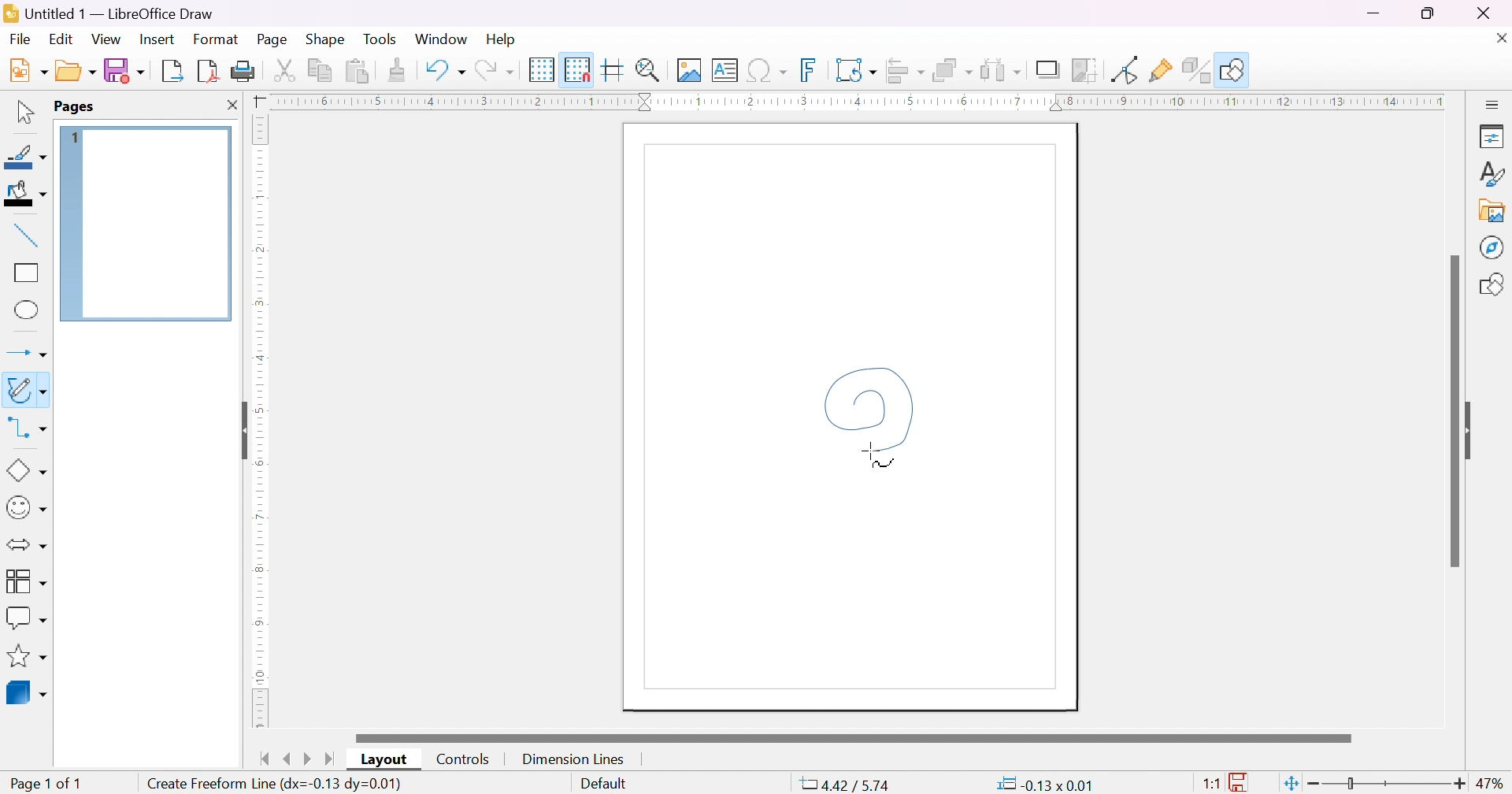 This screenshot has height=794, width=1512. Describe the element at coordinates (1492, 785) in the screenshot. I see `47%` at that location.